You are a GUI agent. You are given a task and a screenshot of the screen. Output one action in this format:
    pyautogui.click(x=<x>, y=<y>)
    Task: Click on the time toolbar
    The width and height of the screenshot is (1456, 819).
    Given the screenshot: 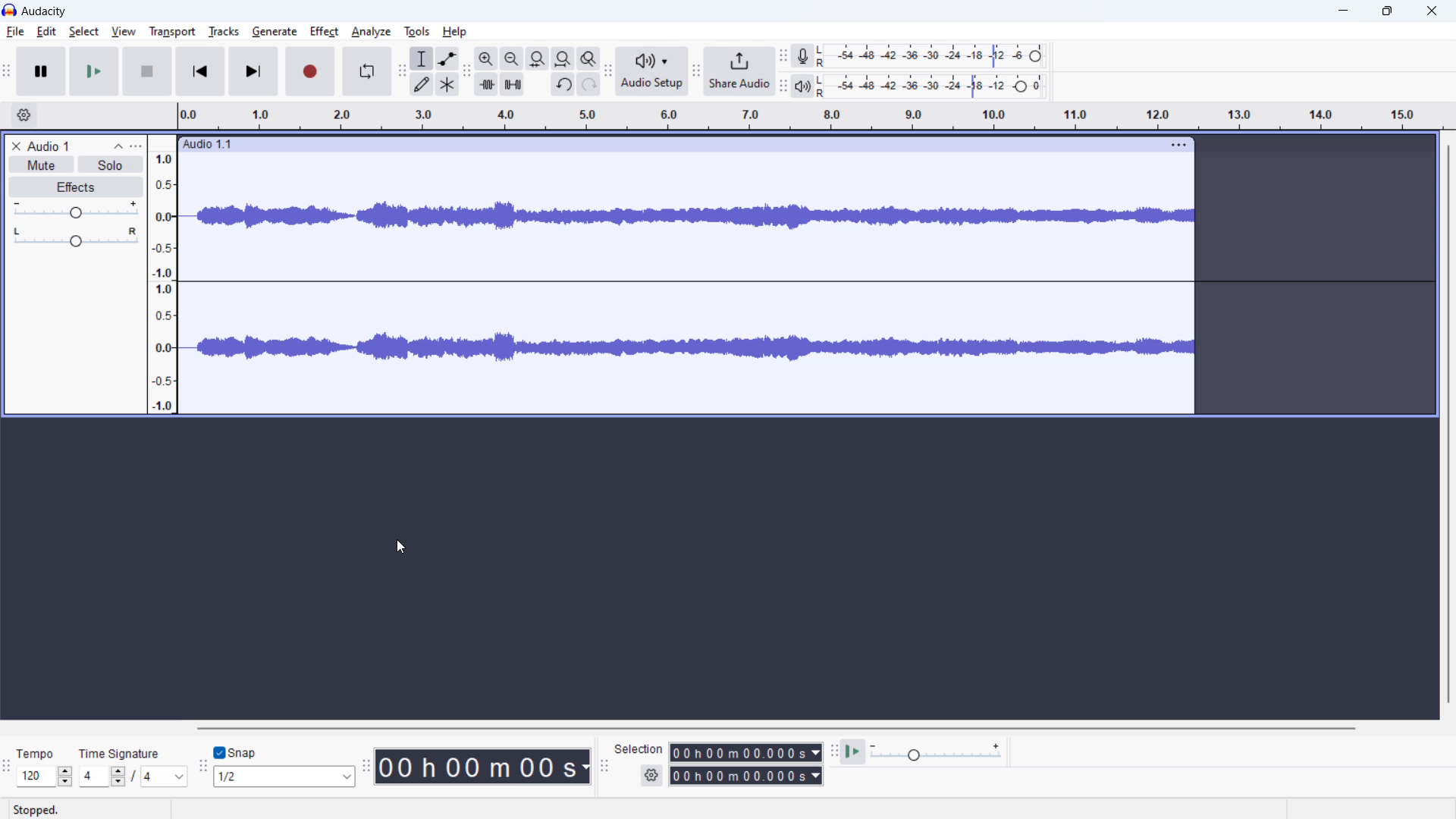 What is the action you would take?
    pyautogui.click(x=366, y=767)
    